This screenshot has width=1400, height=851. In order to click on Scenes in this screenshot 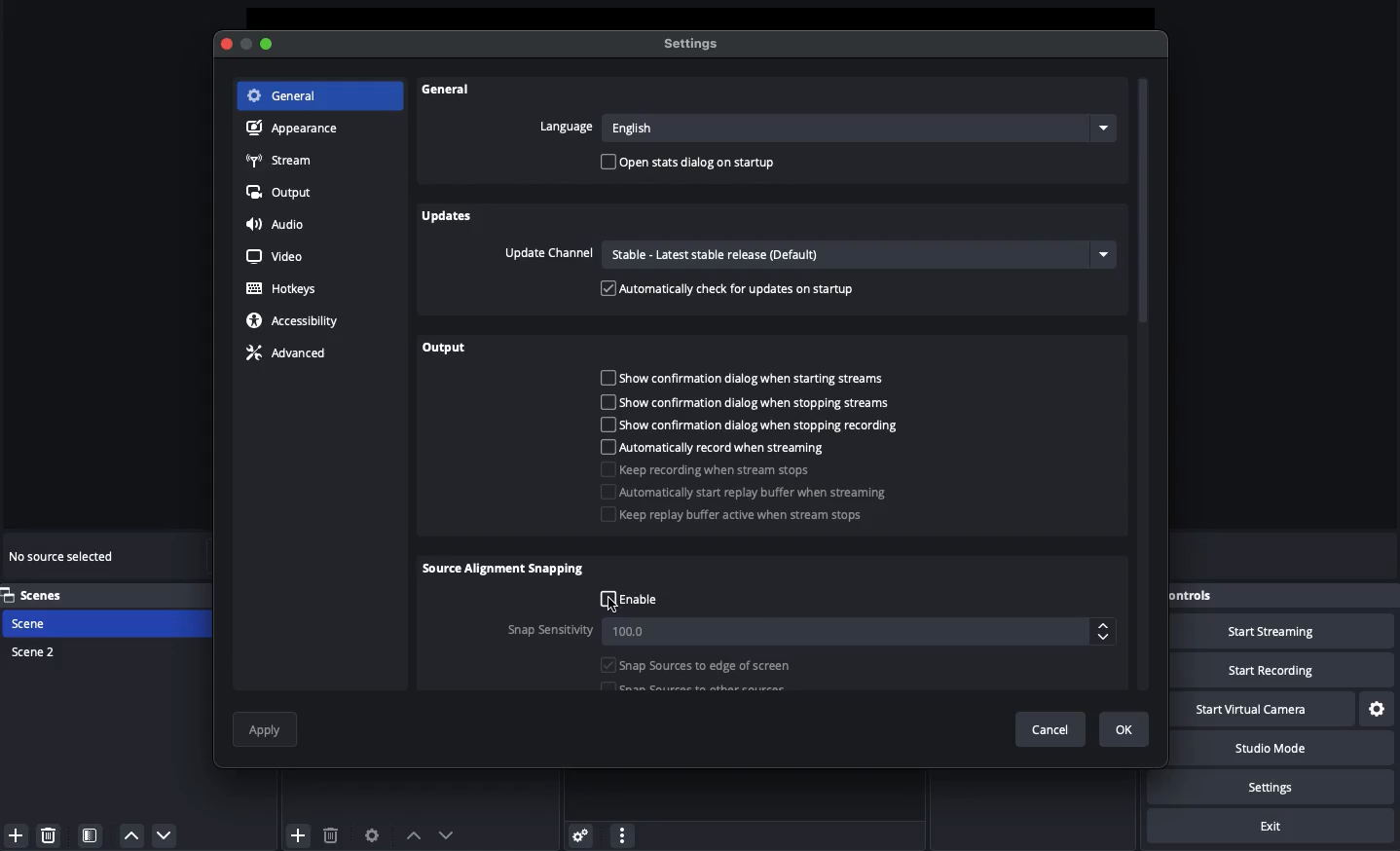, I will do `click(44, 595)`.